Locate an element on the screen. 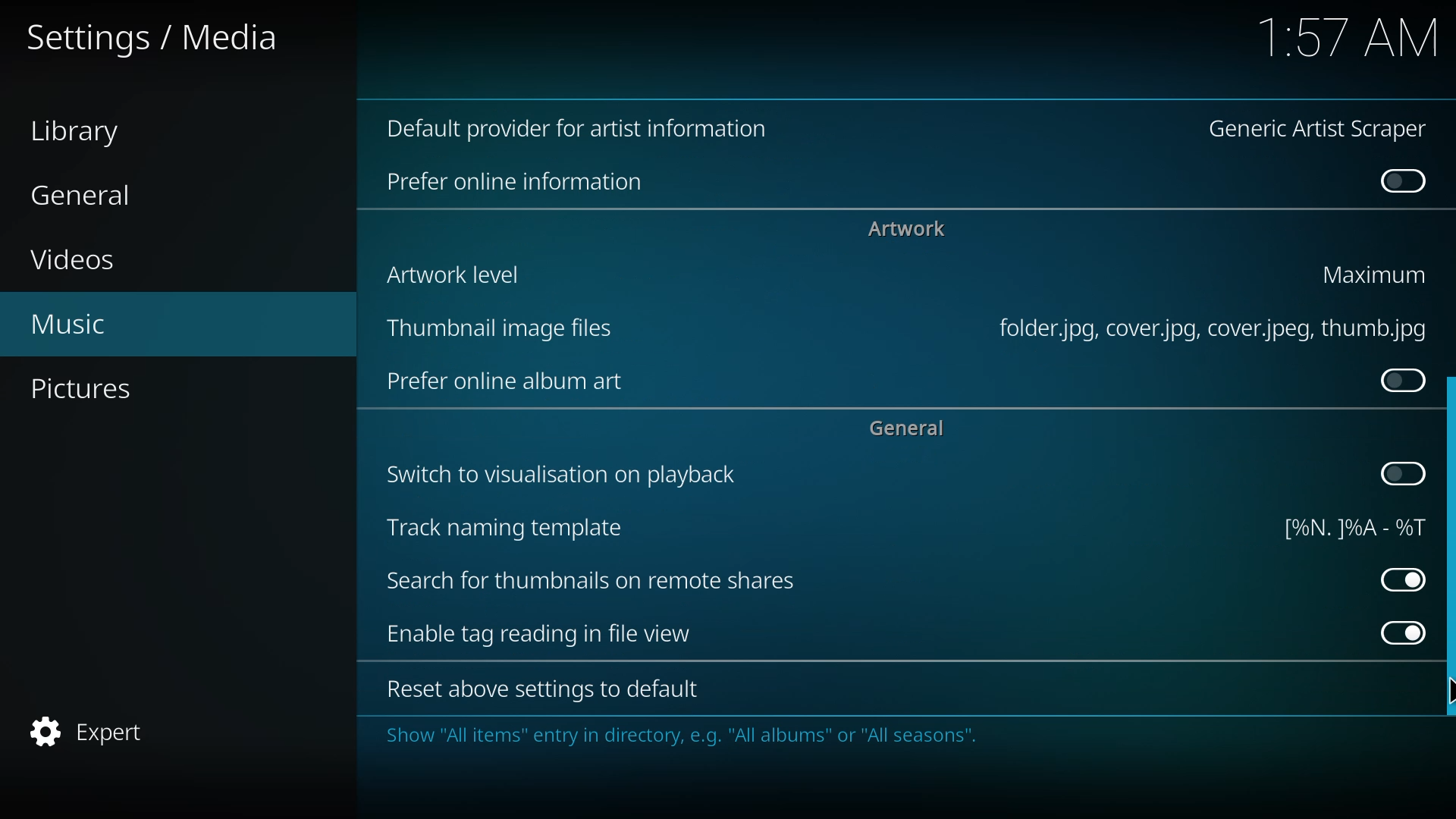 This screenshot has width=1456, height=819. default is located at coordinates (587, 129).